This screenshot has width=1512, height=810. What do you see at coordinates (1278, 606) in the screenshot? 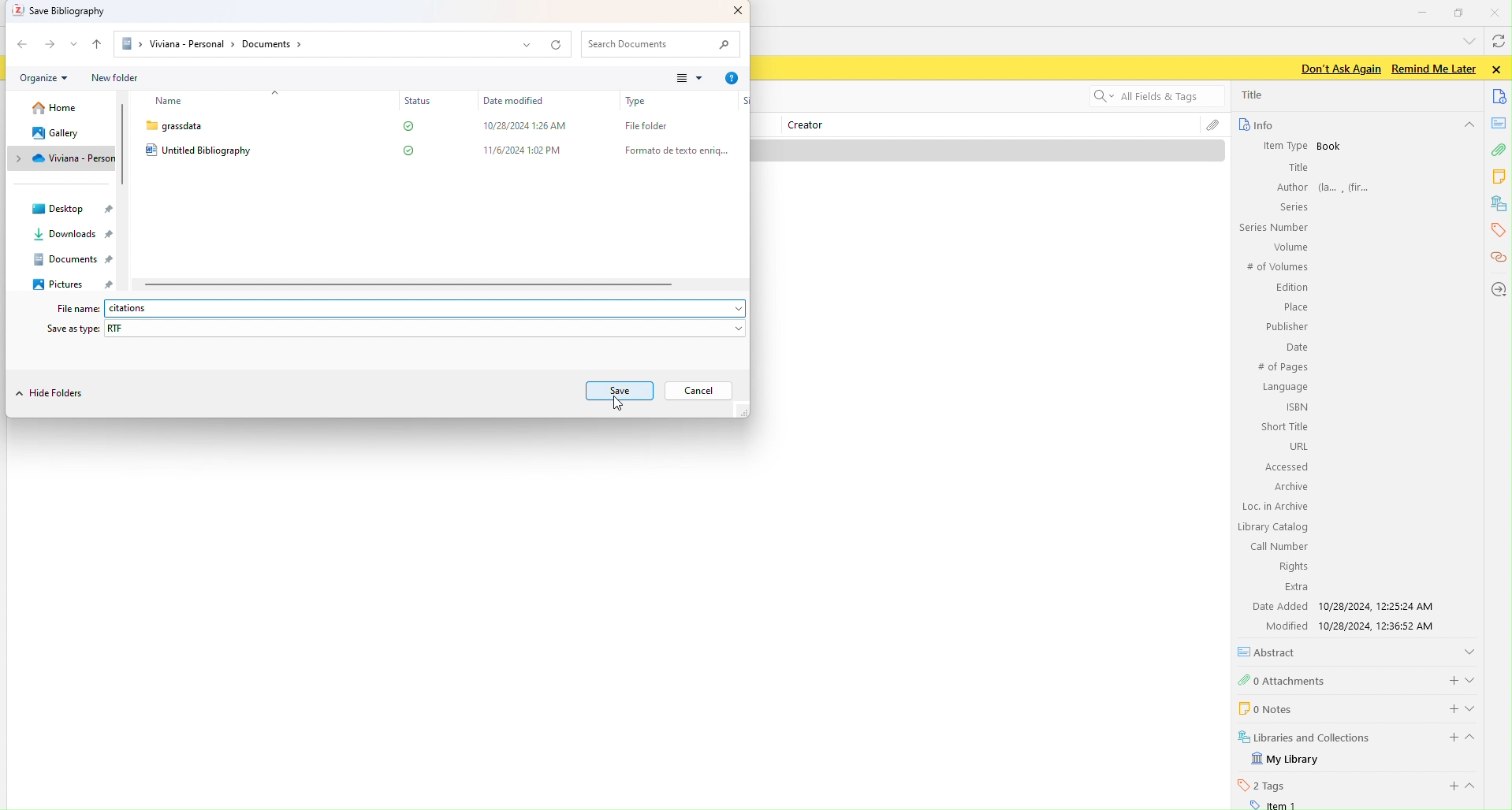
I see `Date Added` at bounding box center [1278, 606].